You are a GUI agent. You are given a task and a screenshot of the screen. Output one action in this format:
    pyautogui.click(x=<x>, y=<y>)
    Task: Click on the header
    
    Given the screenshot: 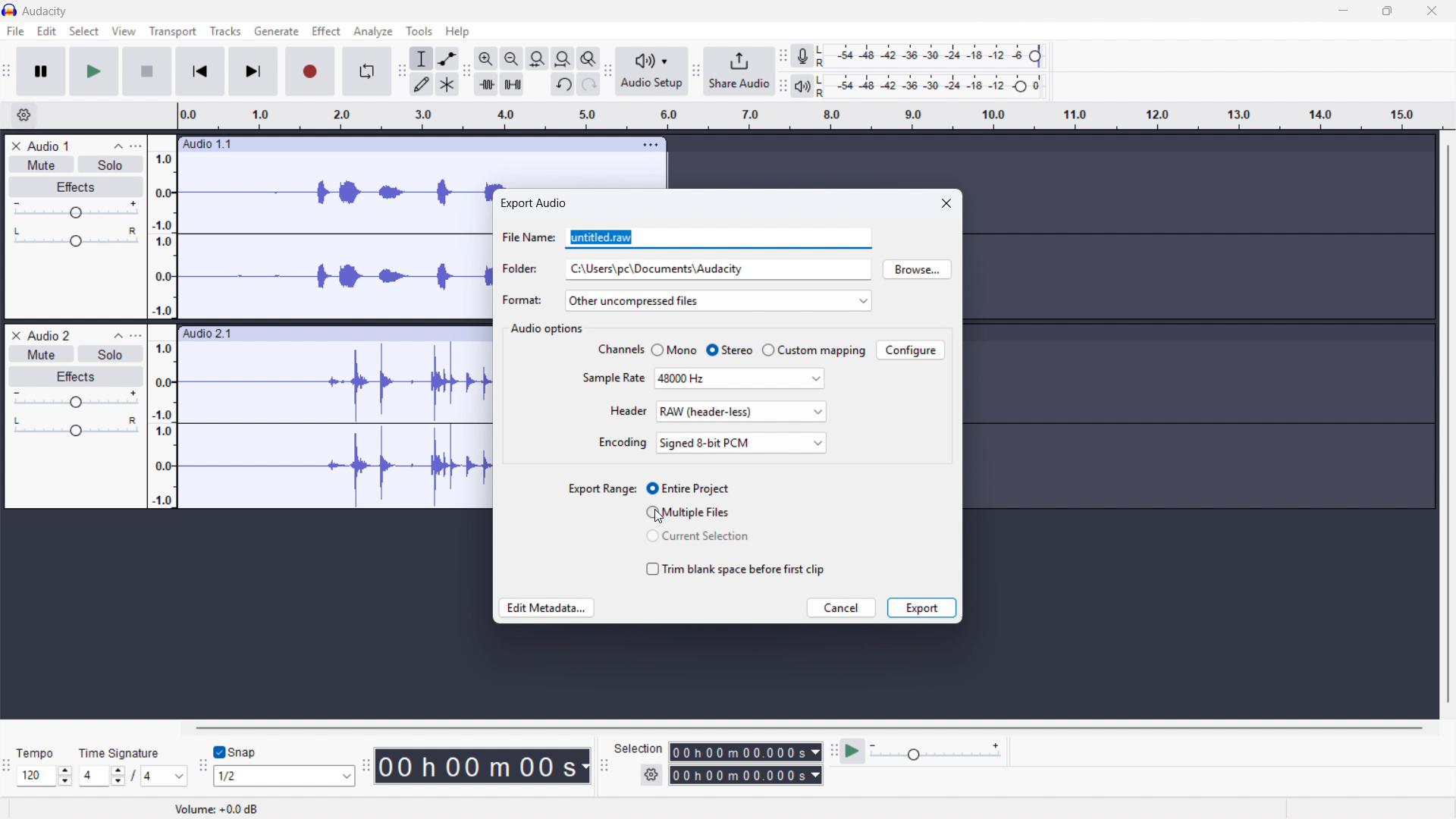 What is the action you would take?
    pyautogui.click(x=628, y=411)
    